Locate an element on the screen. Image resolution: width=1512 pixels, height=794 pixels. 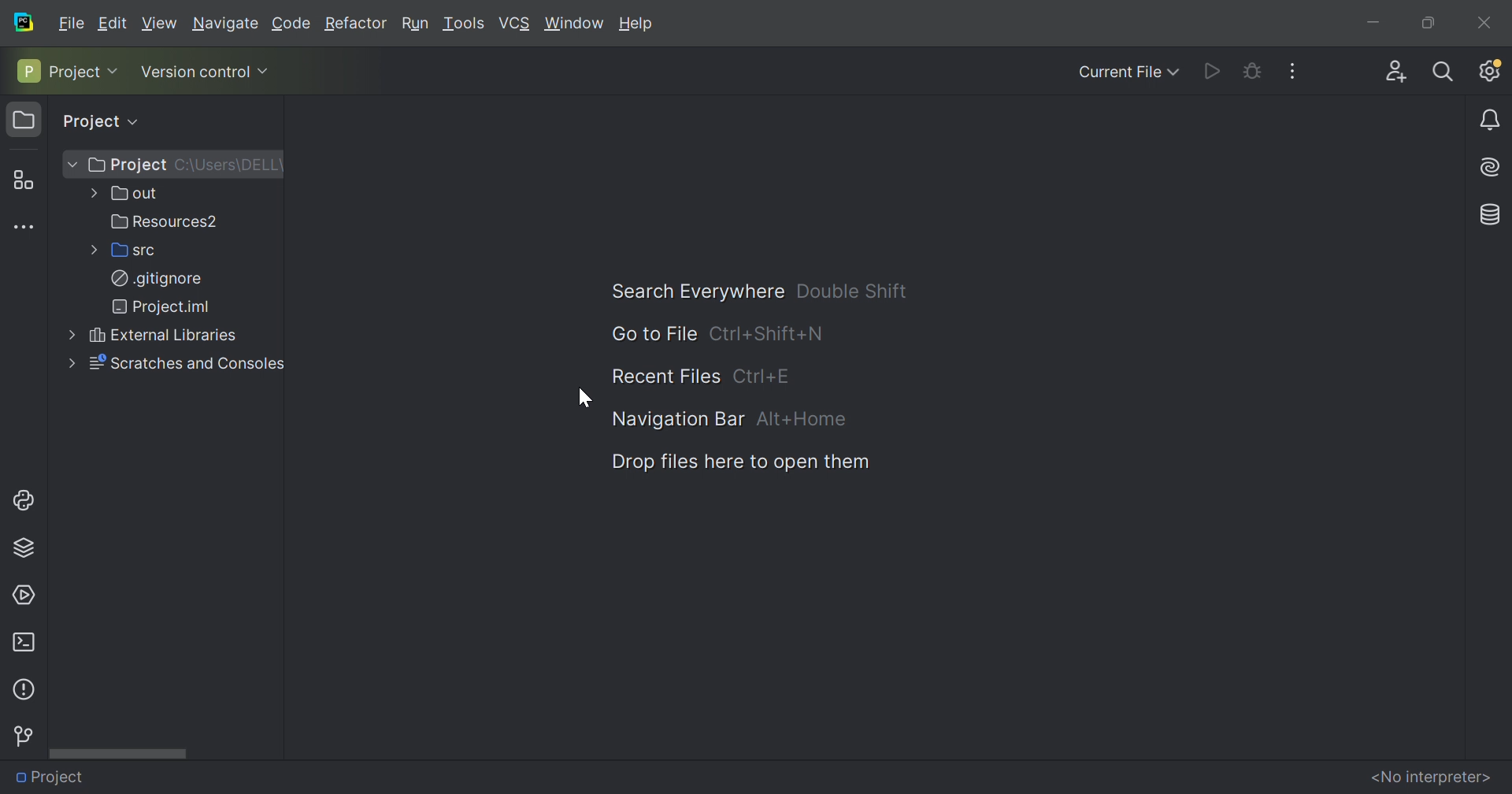
PyCharm is located at coordinates (24, 21).